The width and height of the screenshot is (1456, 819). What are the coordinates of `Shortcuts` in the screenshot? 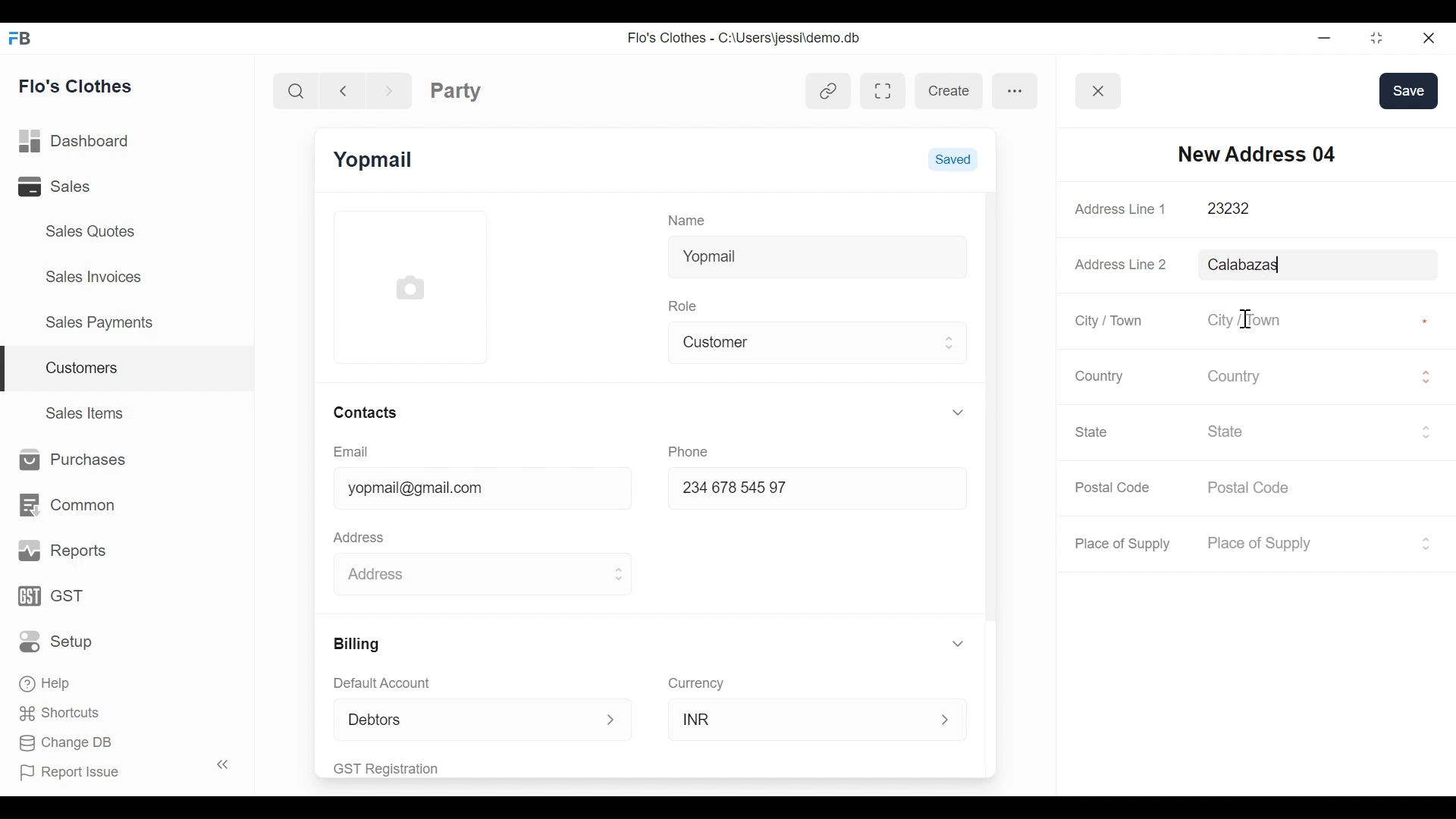 It's located at (55, 712).